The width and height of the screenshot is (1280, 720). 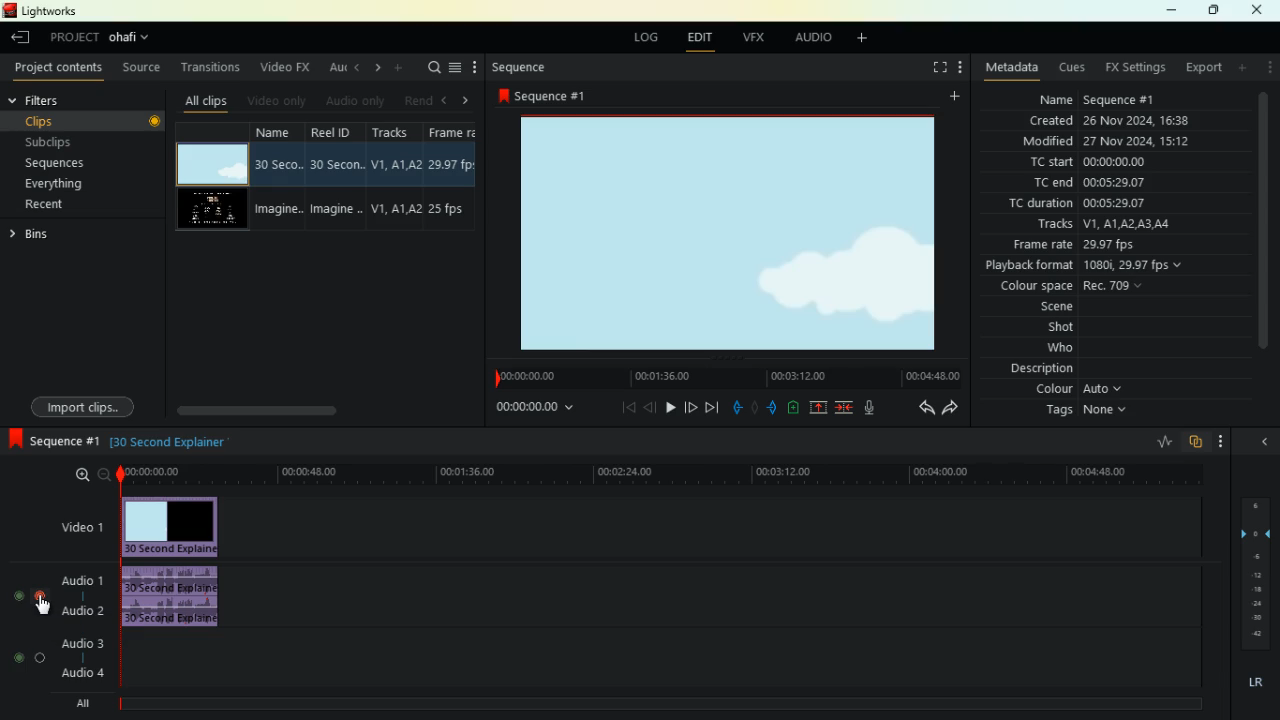 What do you see at coordinates (78, 704) in the screenshot?
I see `all` at bounding box center [78, 704].